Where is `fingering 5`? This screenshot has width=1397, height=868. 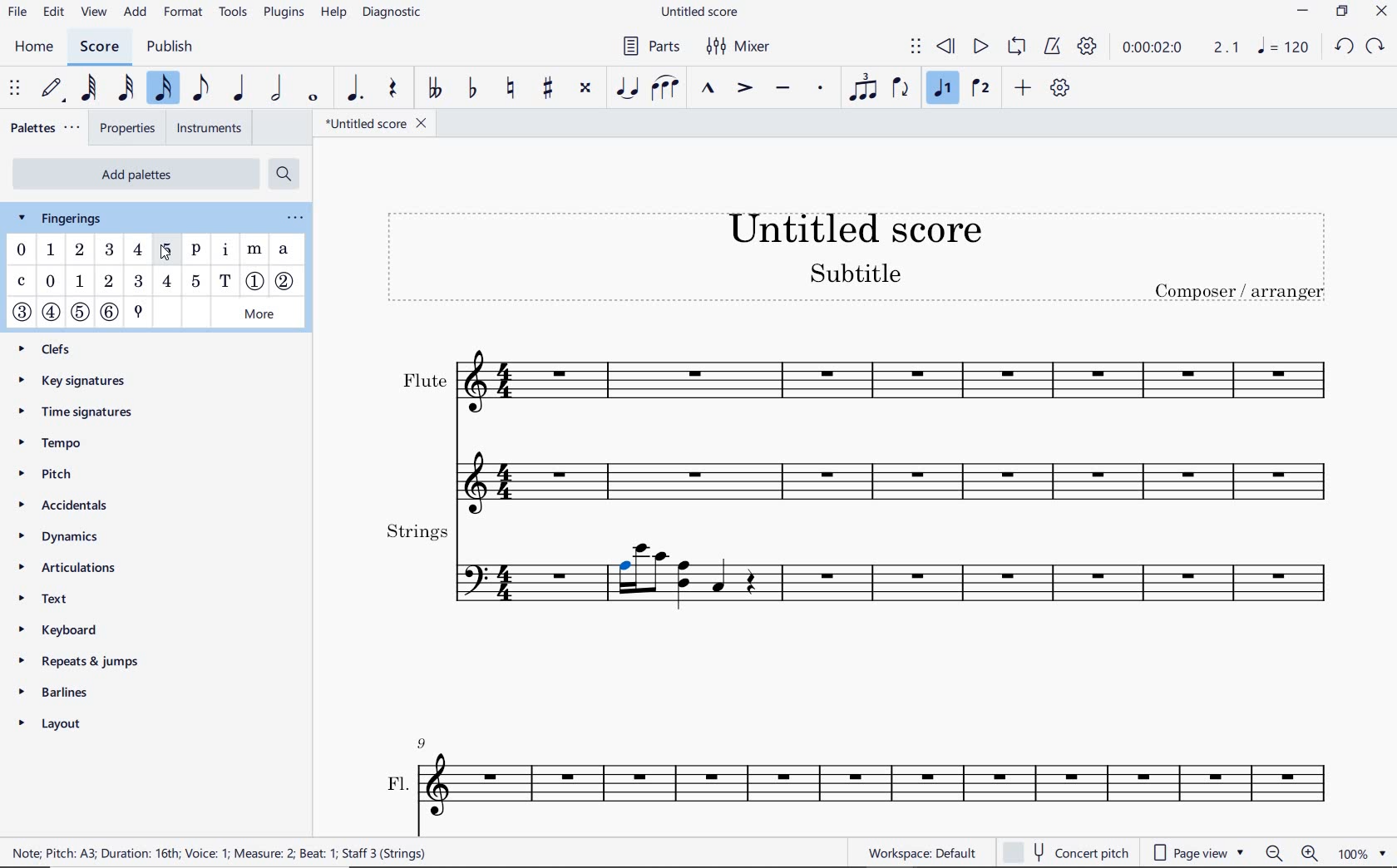
fingering 5 is located at coordinates (167, 253).